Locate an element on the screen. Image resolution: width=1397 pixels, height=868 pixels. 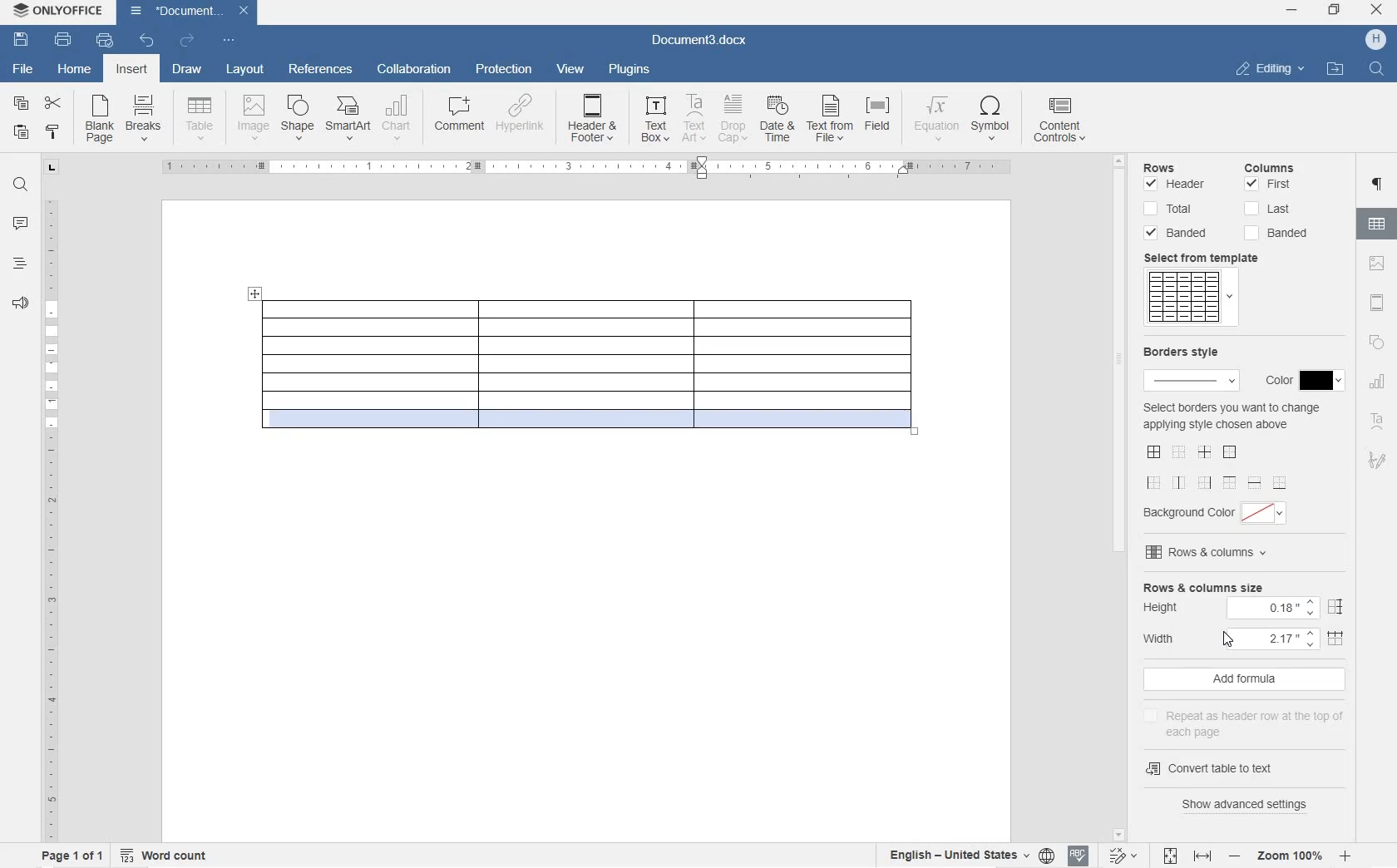
RESTORE is located at coordinates (1335, 12).